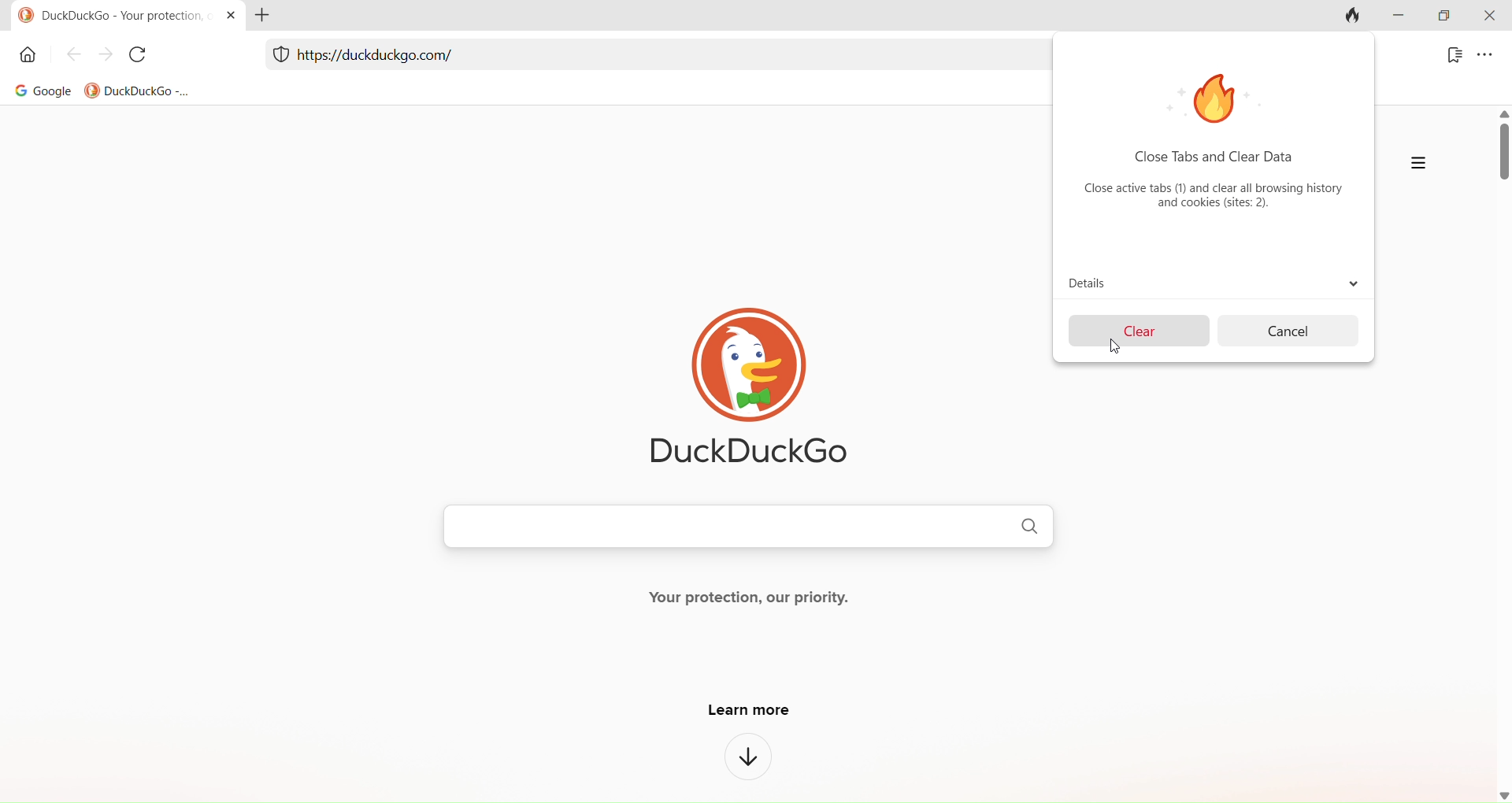 Image resolution: width=1512 pixels, height=803 pixels. What do you see at coordinates (1488, 17) in the screenshot?
I see `close` at bounding box center [1488, 17].